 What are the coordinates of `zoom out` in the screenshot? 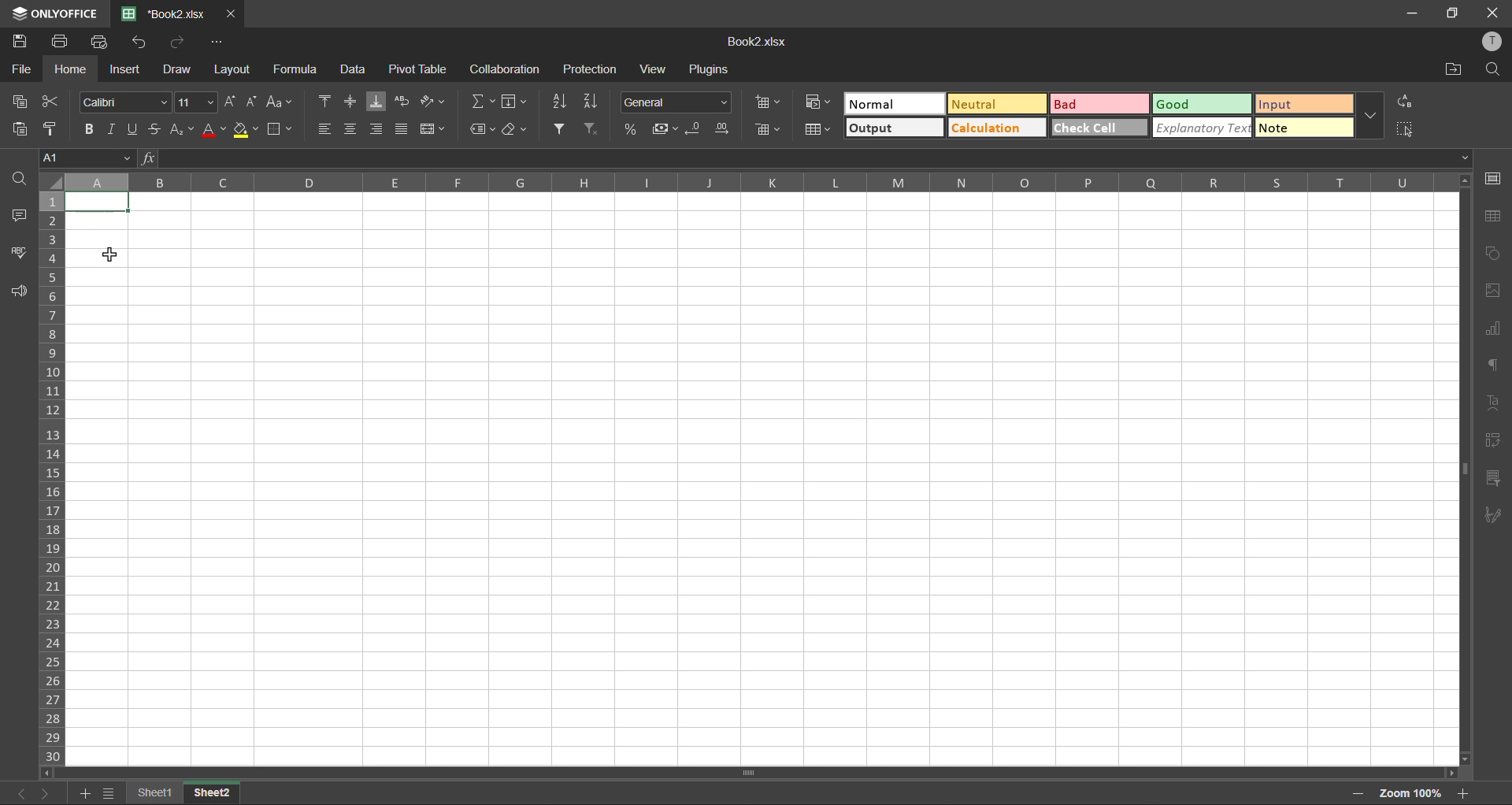 It's located at (1354, 796).